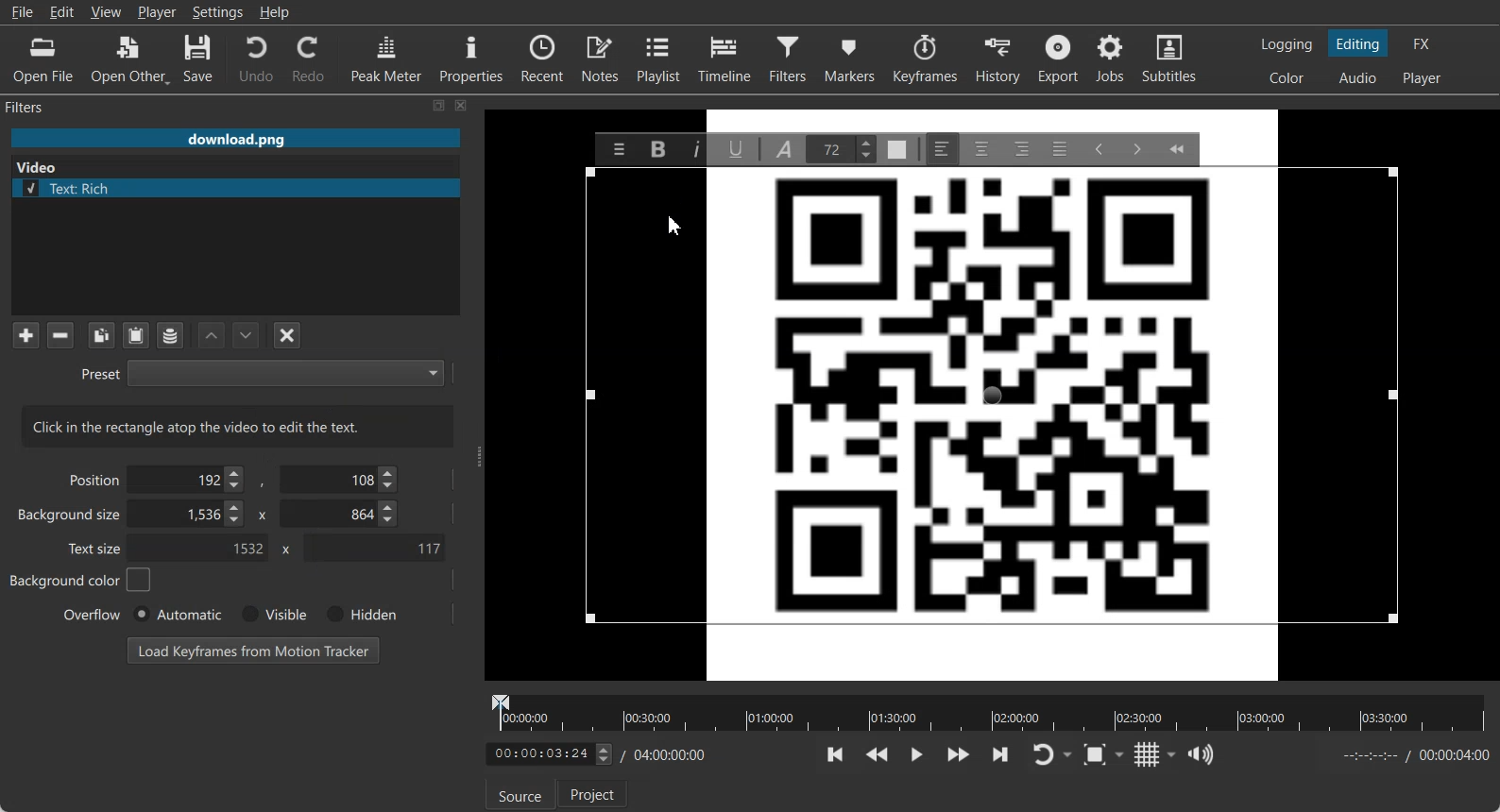 This screenshot has width=1500, height=812. What do you see at coordinates (1170, 59) in the screenshot?
I see `Subtitles` at bounding box center [1170, 59].